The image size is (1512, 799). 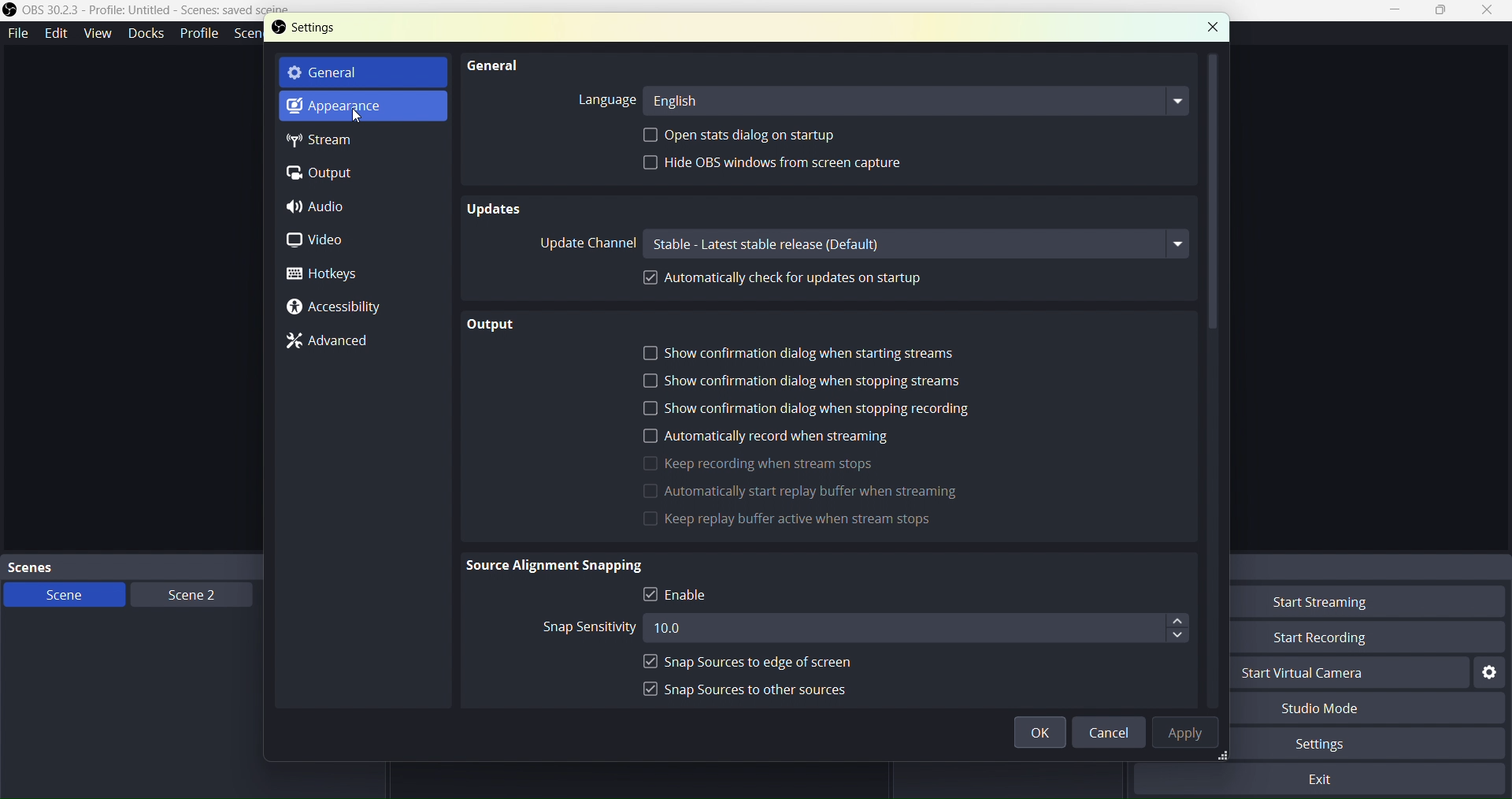 I want to click on Audio, so click(x=322, y=209).